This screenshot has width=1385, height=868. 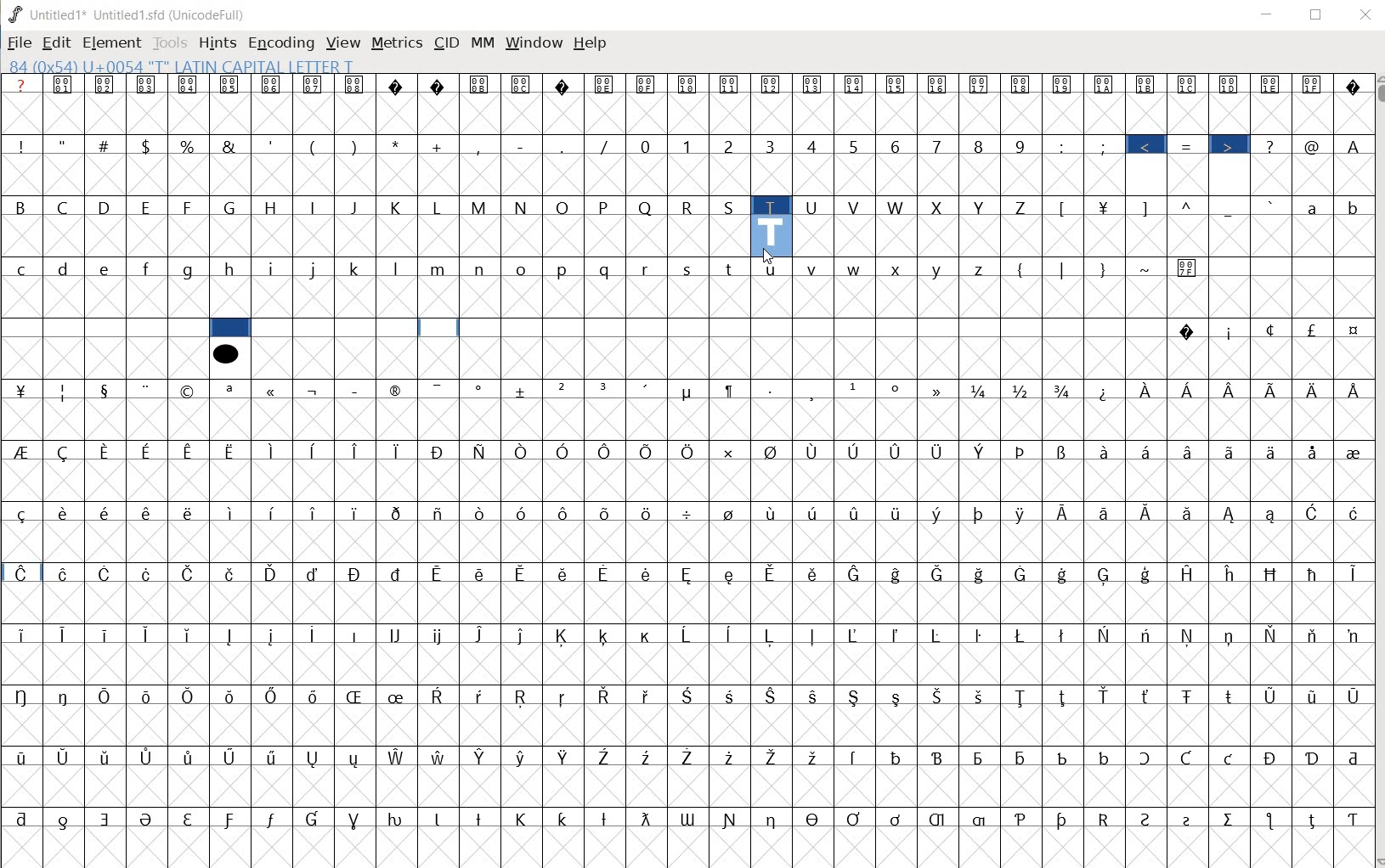 I want to click on _, so click(x=1230, y=208).